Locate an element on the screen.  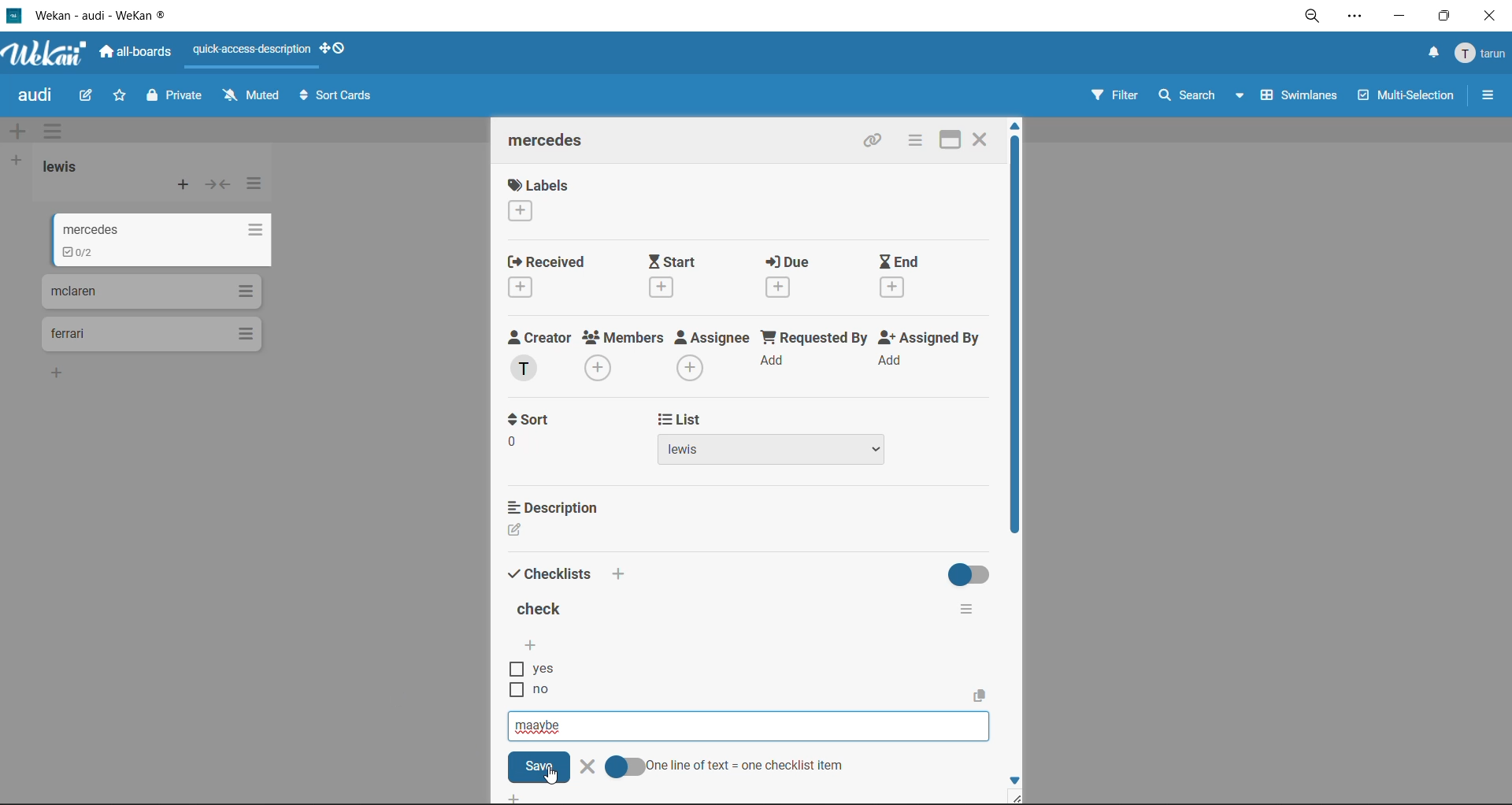
Add Start Time is located at coordinates (663, 287).